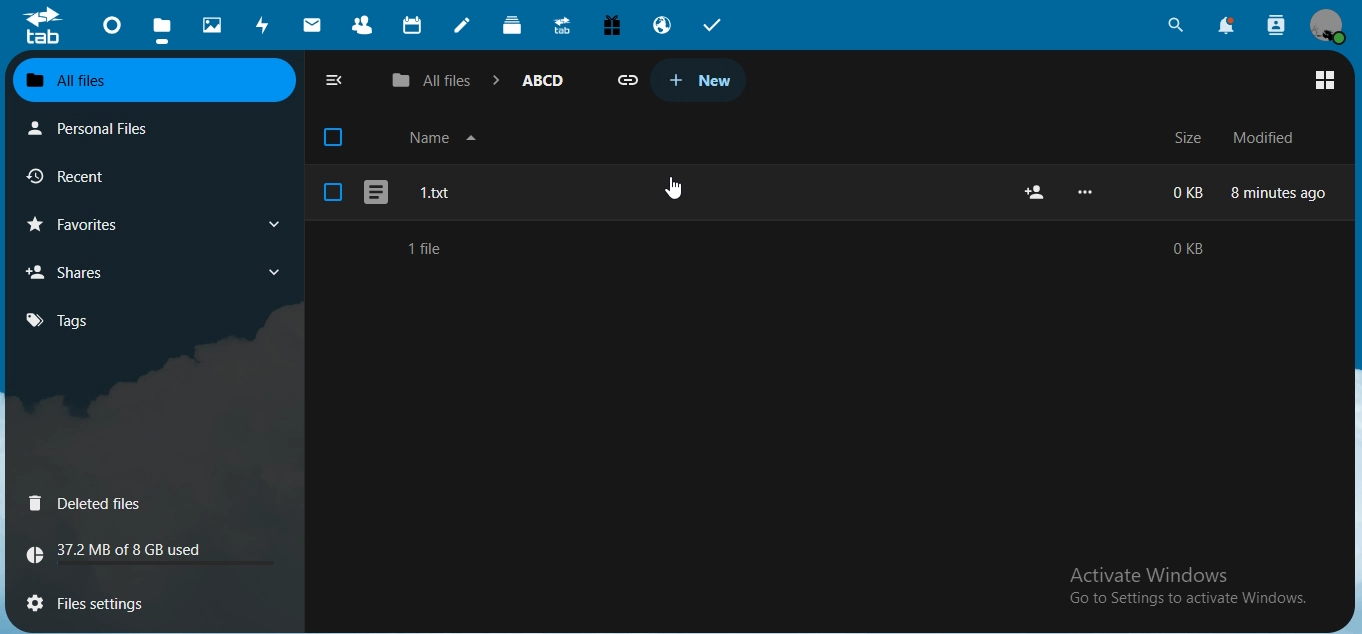 The height and width of the screenshot is (634, 1362). I want to click on collapse sidebar, so click(333, 81).